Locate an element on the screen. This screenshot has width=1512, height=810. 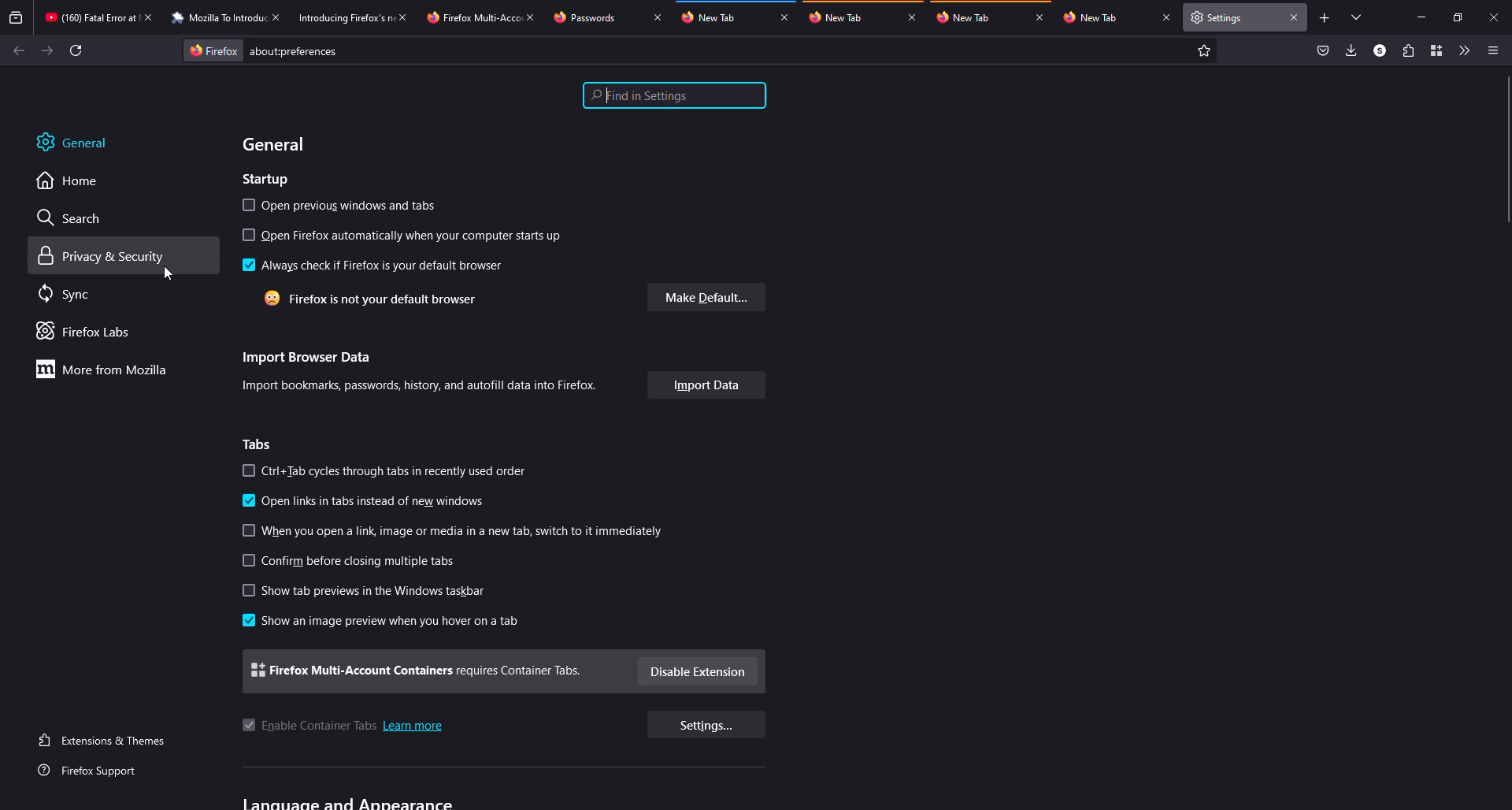
selected is located at coordinates (246, 500).